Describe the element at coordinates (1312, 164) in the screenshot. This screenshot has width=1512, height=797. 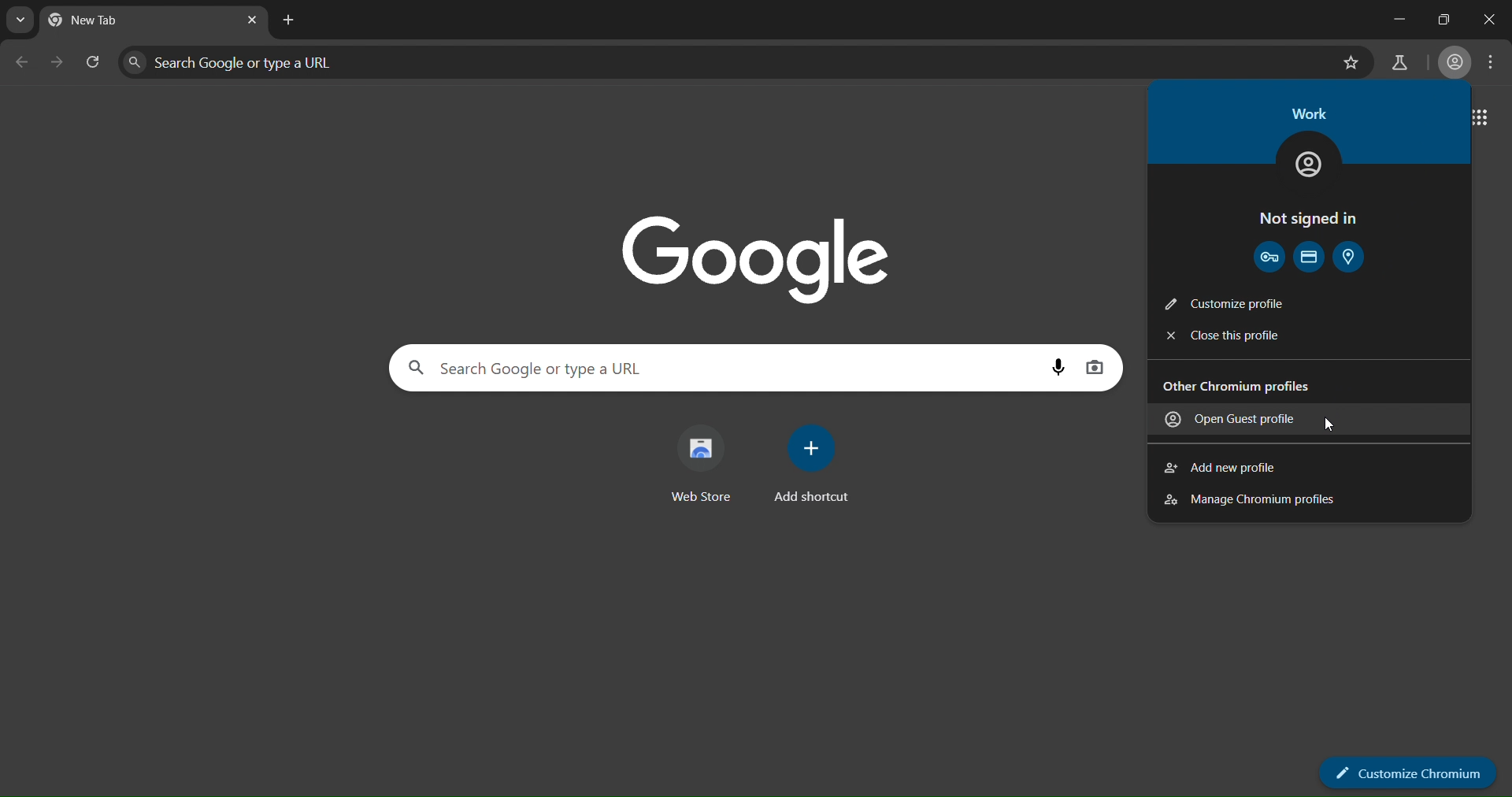
I see `work icon` at that location.